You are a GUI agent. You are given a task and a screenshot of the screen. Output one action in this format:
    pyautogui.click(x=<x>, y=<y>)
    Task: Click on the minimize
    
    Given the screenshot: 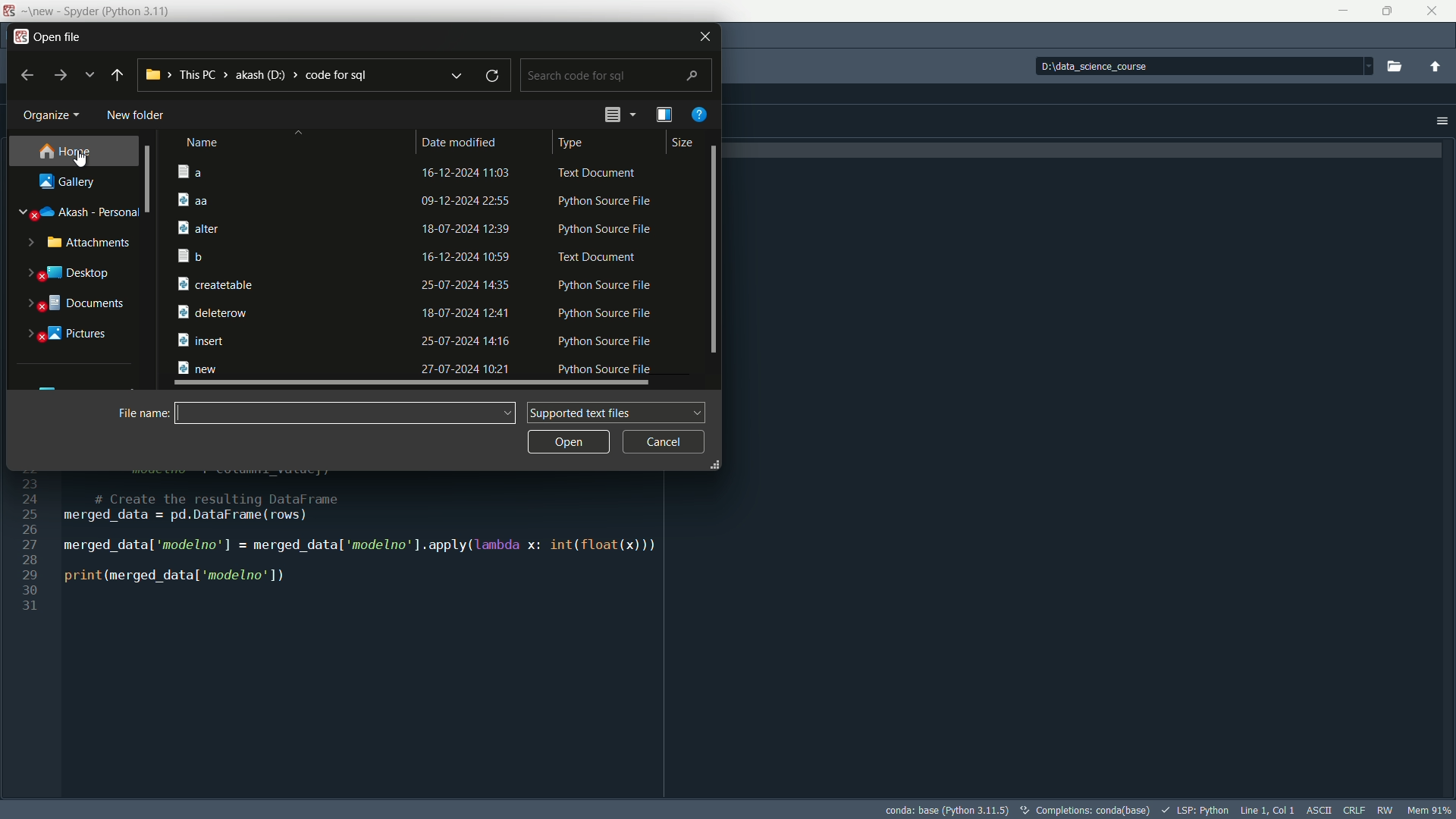 What is the action you would take?
    pyautogui.click(x=1340, y=11)
    